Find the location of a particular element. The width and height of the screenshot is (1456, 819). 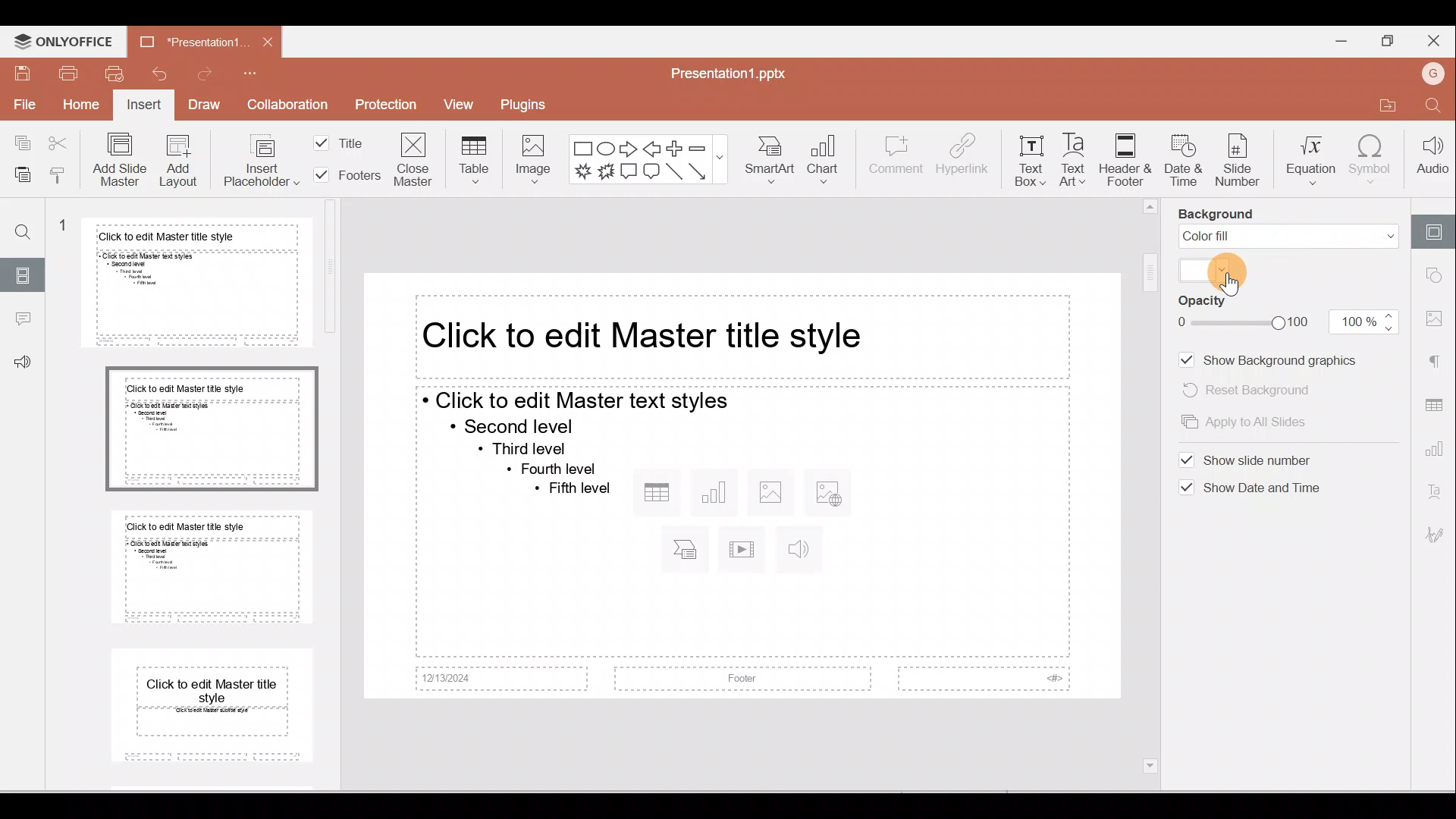

Slide settings is located at coordinates (1437, 227).